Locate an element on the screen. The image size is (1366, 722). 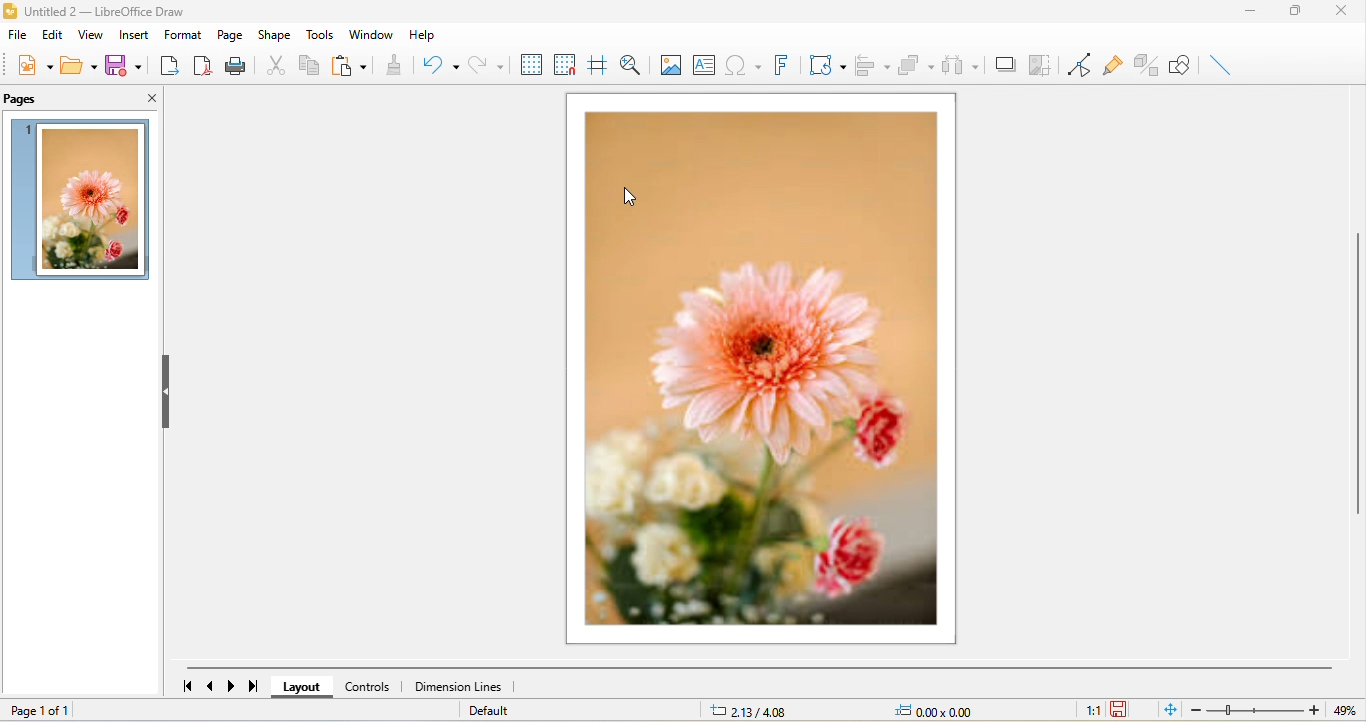
title is located at coordinates (102, 13).